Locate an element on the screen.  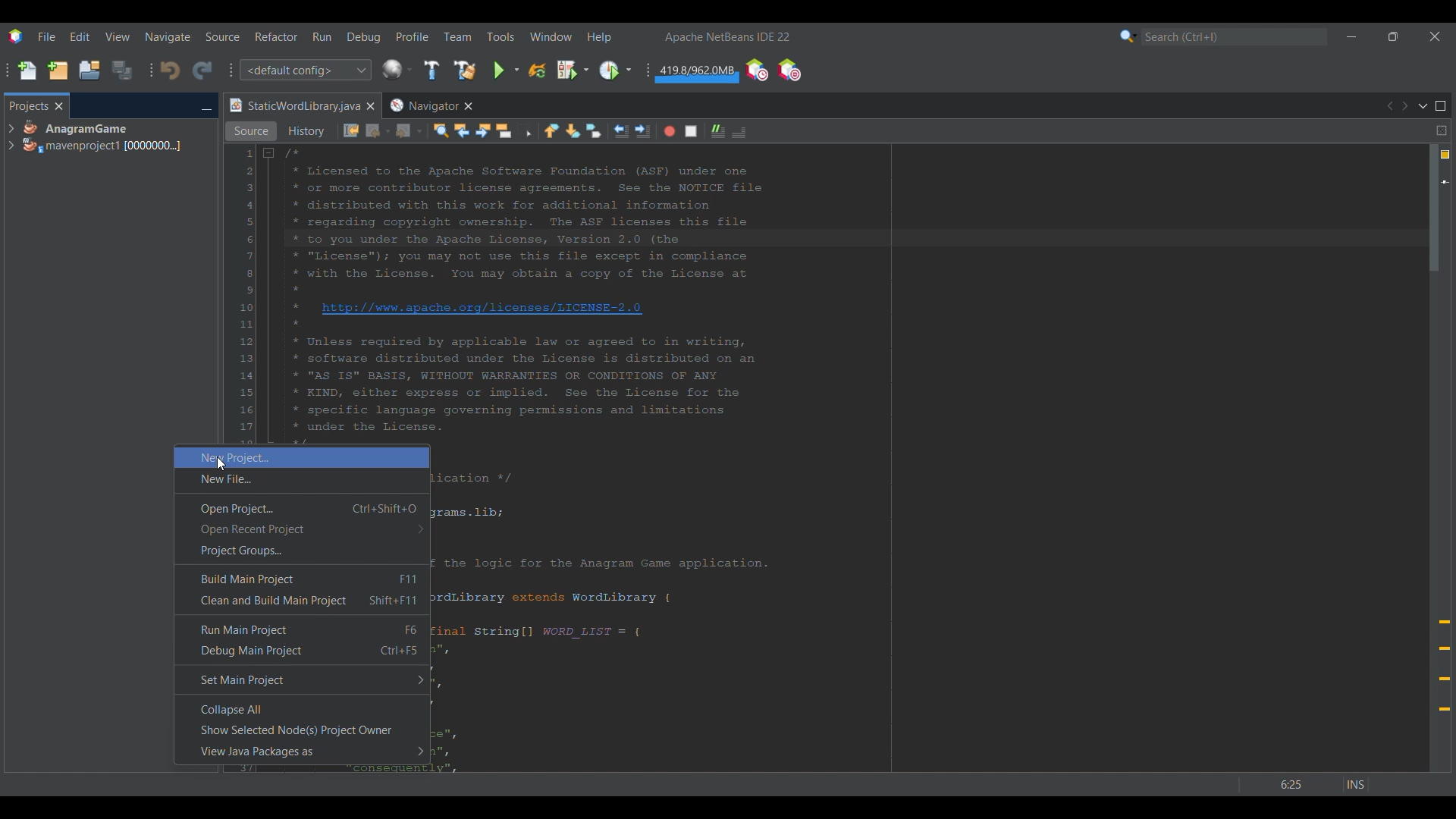
Close interface is located at coordinates (1435, 36).